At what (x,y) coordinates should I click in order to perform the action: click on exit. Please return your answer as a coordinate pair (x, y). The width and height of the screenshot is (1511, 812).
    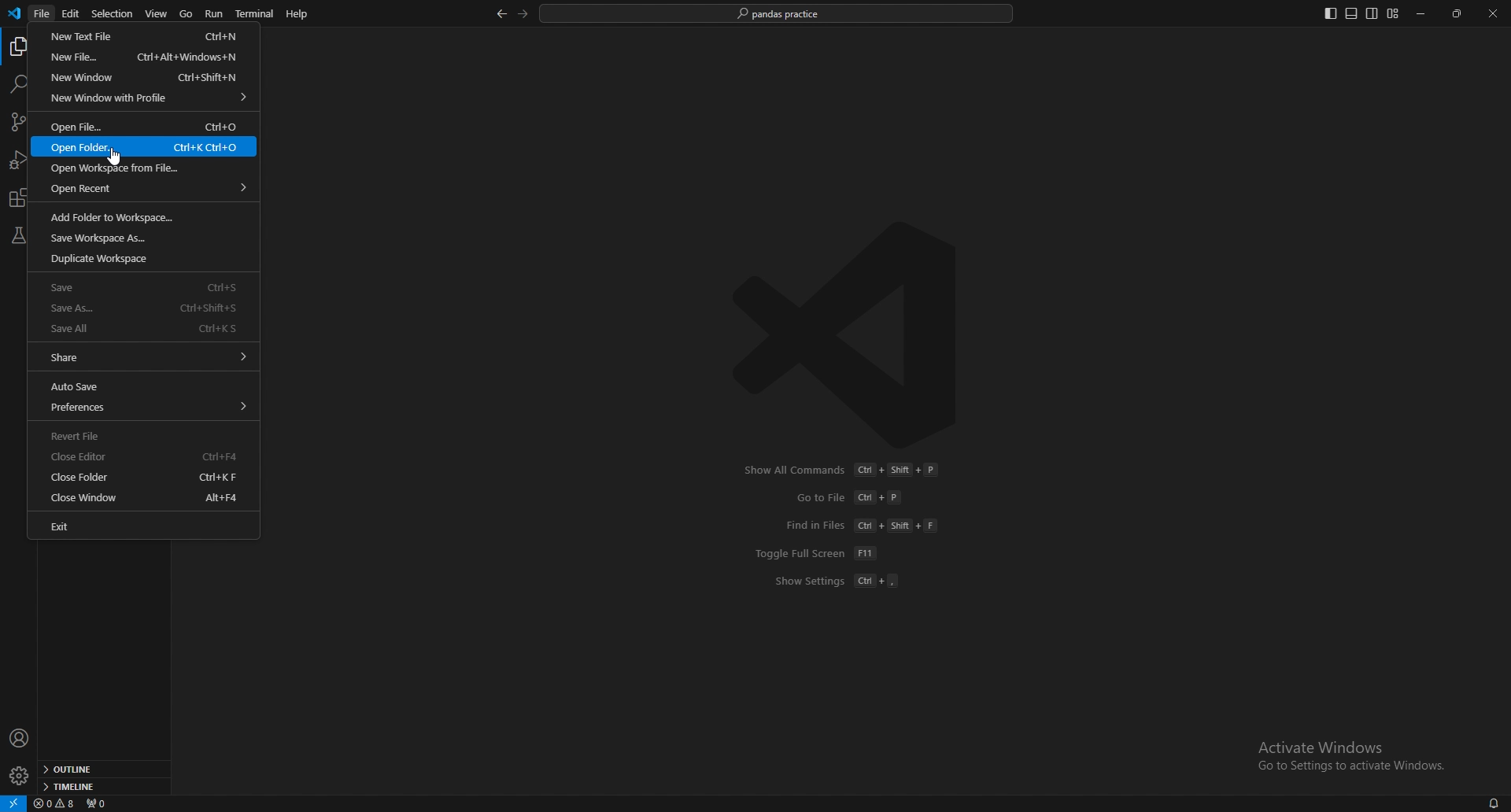
    Looking at the image, I should click on (141, 526).